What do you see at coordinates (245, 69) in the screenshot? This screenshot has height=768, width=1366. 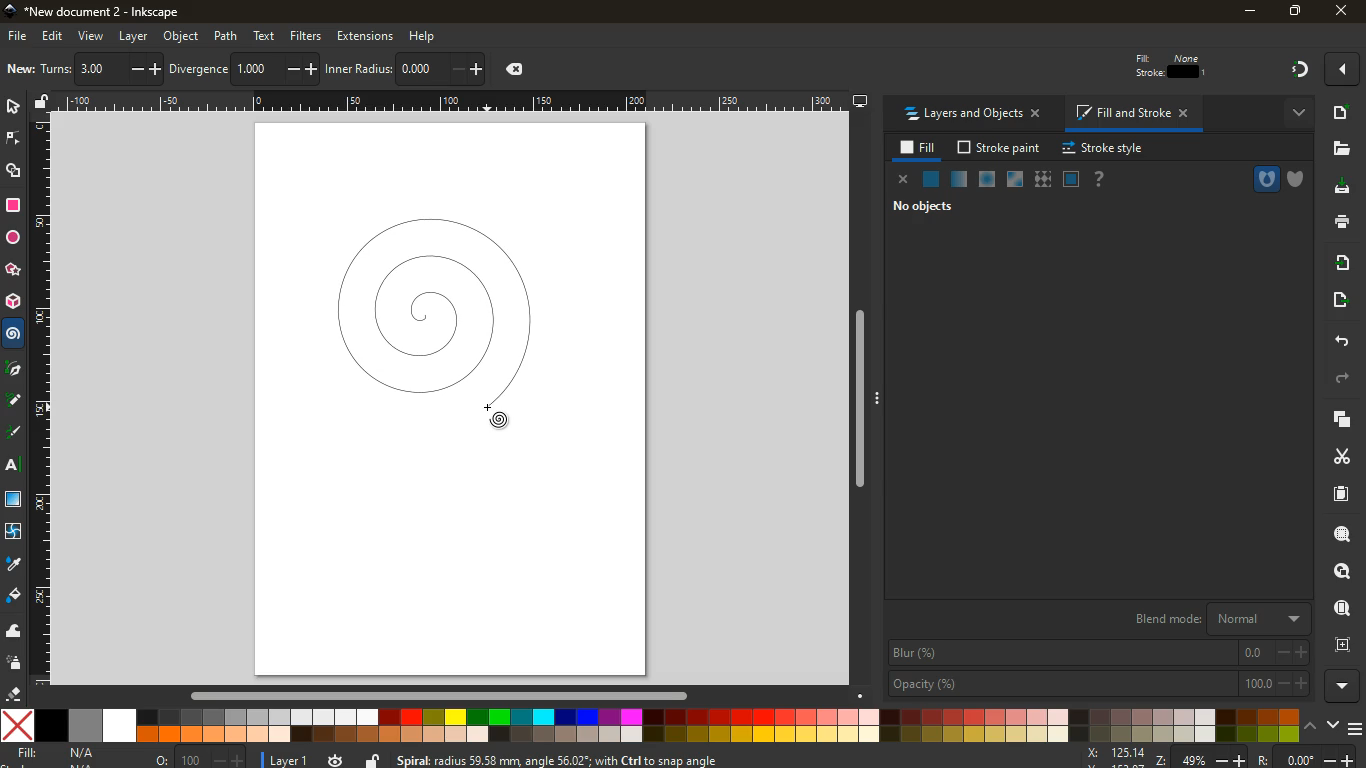 I see `tilt` at bounding box center [245, 69].